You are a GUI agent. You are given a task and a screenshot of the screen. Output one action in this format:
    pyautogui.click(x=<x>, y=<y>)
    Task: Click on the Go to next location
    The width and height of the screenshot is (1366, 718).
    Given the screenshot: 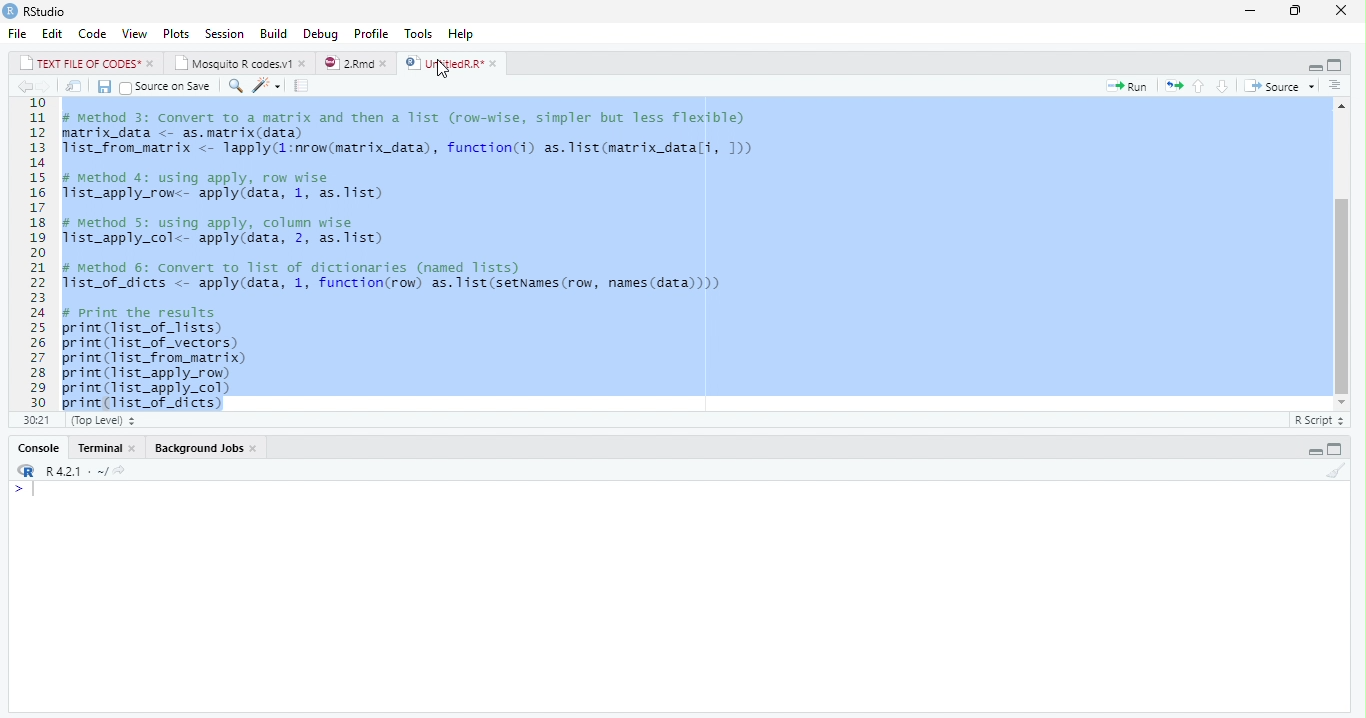 What is the action you would take?
    pyautogui.click(x=44, y=87)
    